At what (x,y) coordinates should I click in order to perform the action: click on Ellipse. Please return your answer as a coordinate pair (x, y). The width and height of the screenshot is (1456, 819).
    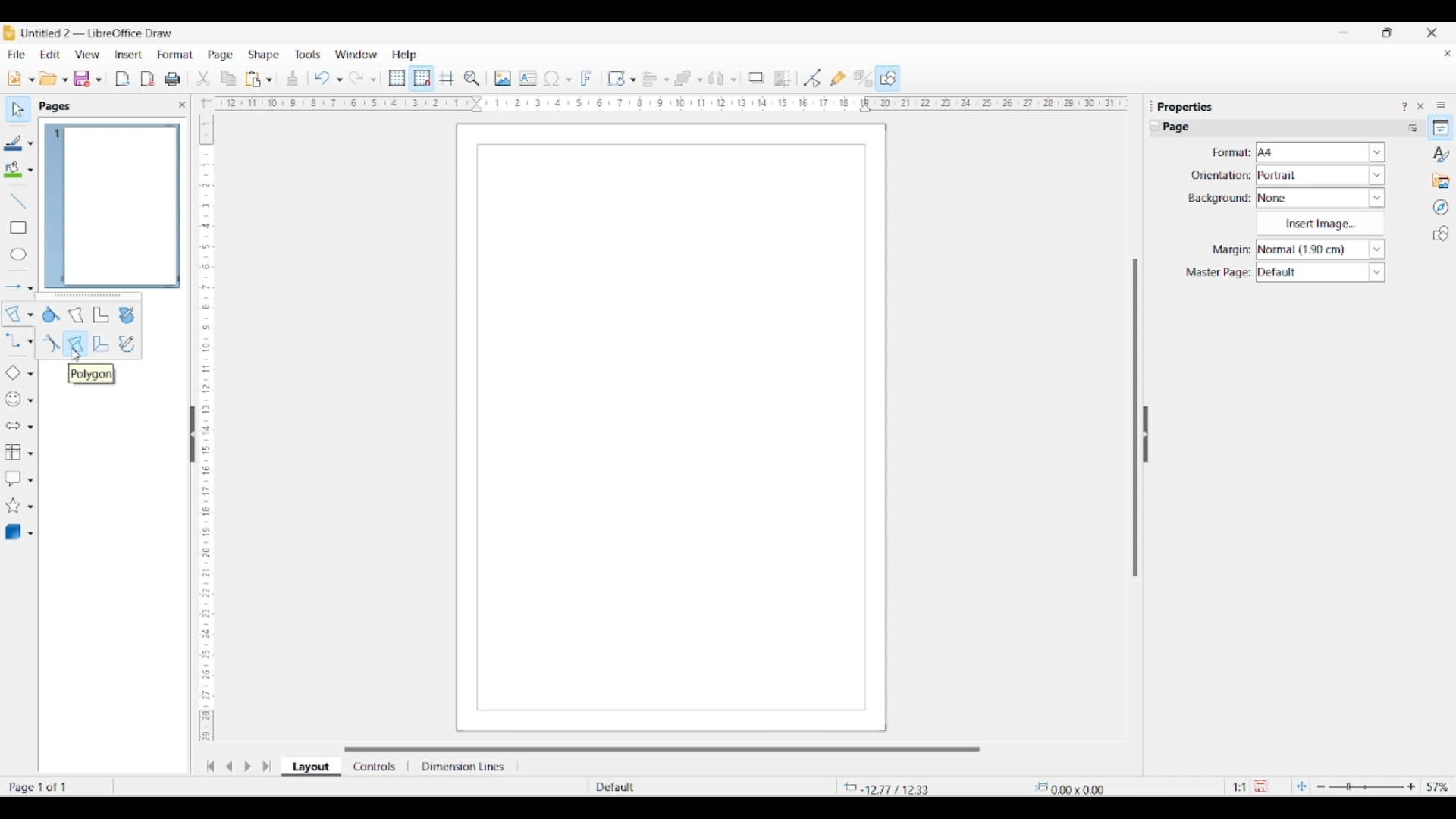
    Looking at the image, I should click on (18, 254).